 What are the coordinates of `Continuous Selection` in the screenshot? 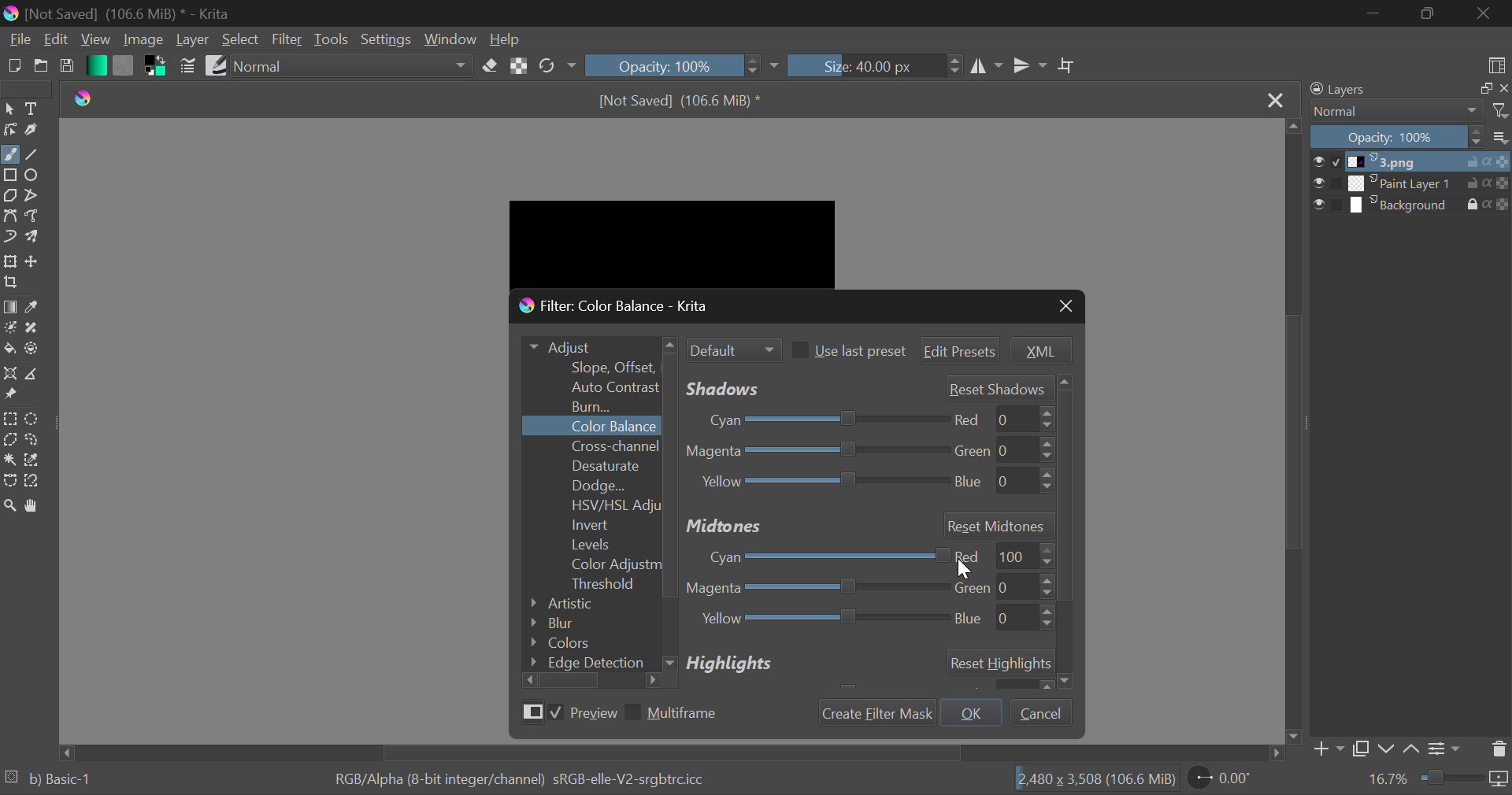 It's located at (9, 462).